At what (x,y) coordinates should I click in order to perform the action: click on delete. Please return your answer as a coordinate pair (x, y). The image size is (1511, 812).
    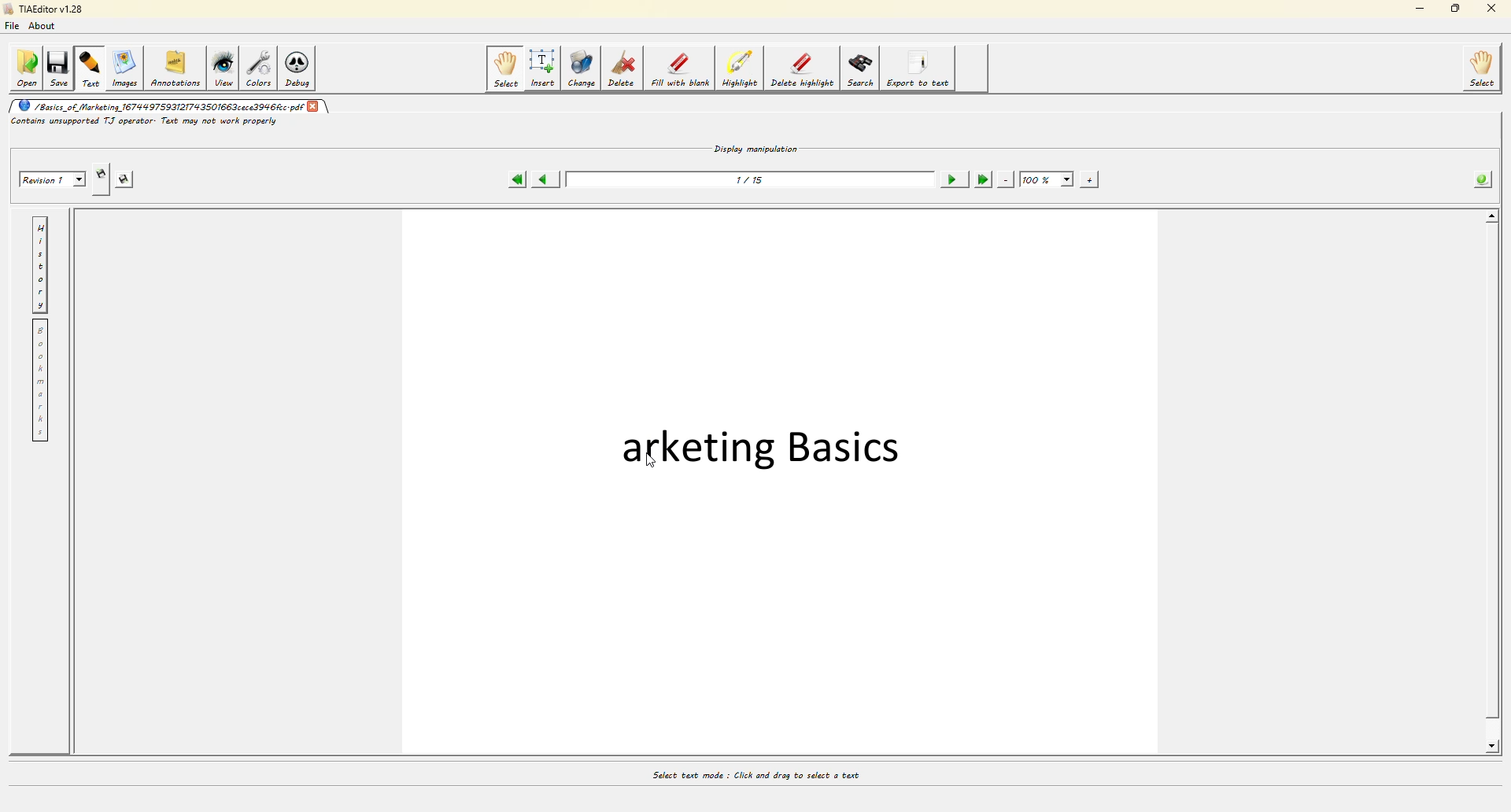
    Looking at the image, I should click on (622, 68).